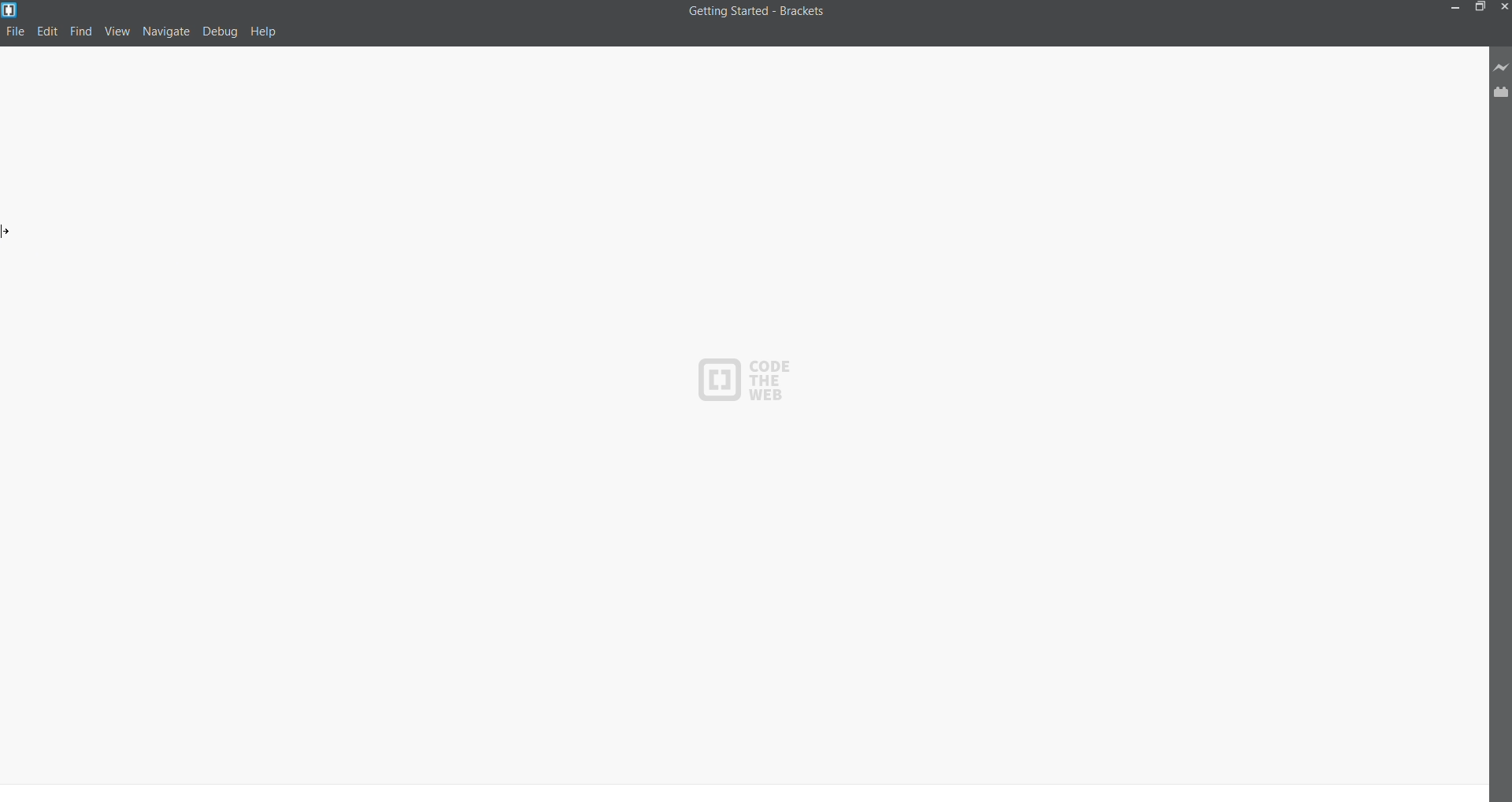 Image resolution: width=1512 pixels, height=802 pixels. I want to click on close, so click(1503, 7).